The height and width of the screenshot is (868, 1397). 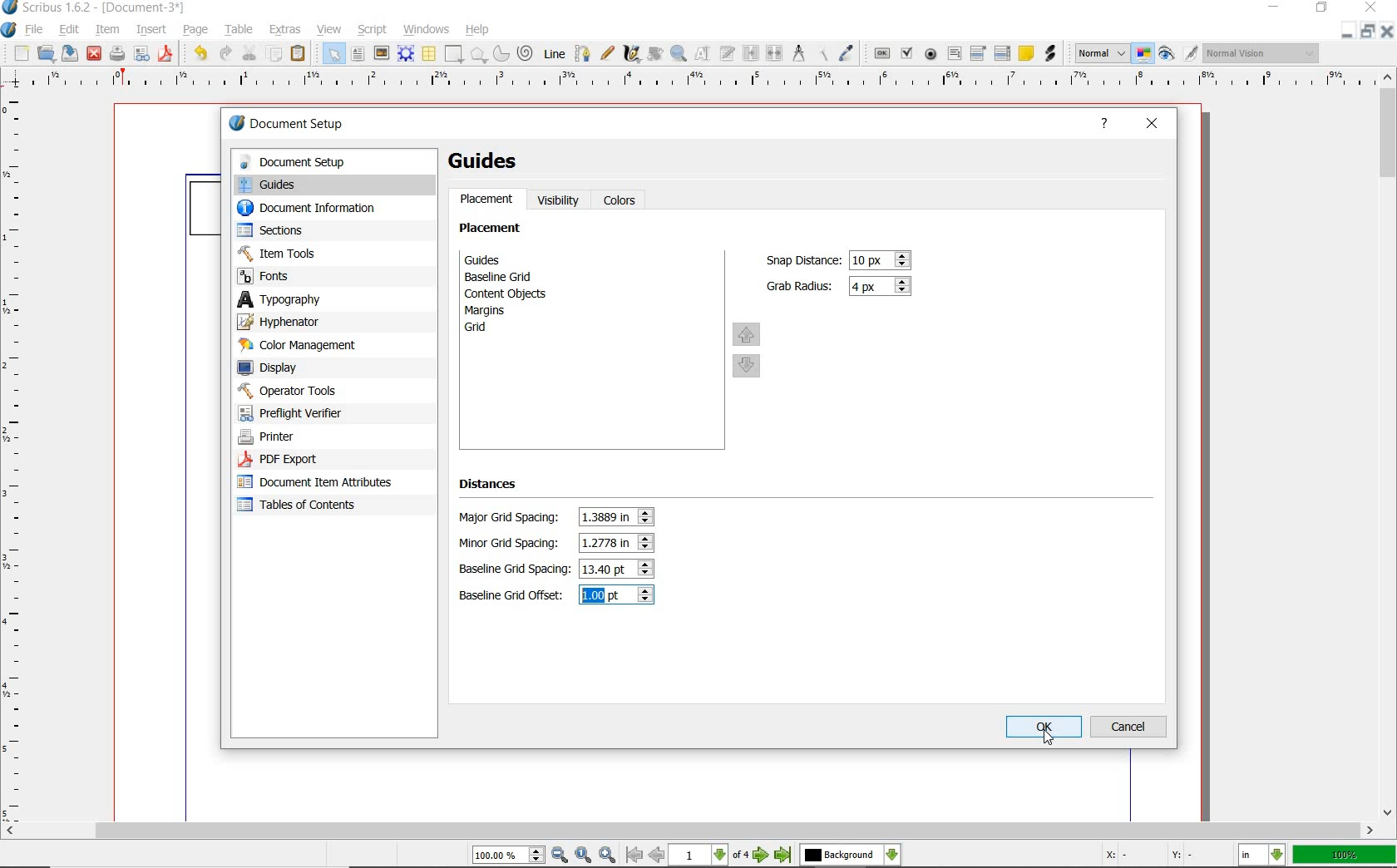 I want to click on content objects, so click(x=515, y=293).